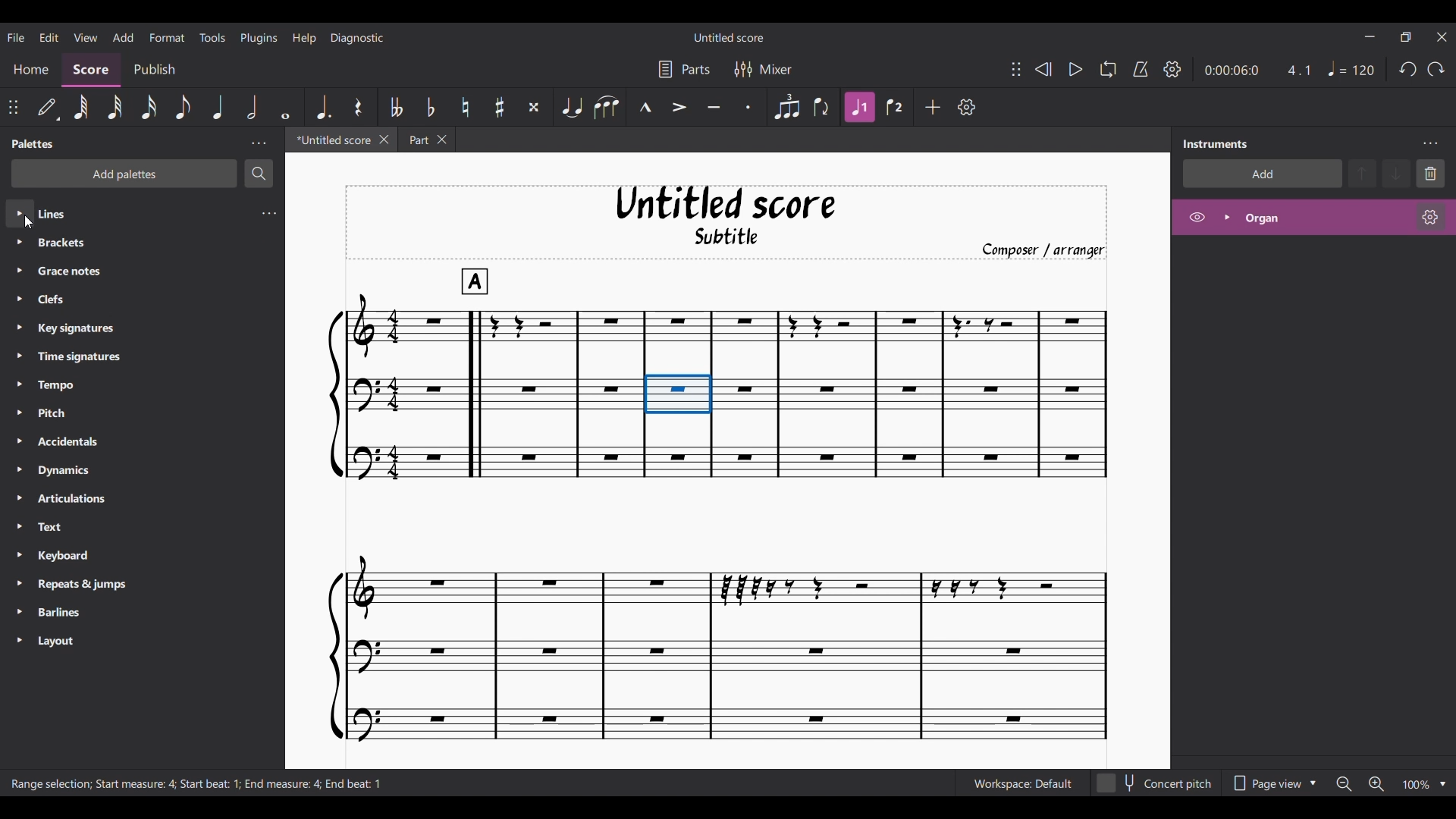  What do you see at coordinates (259, 144) in the screenshot?
I see `Panel settings` at bounding box center [259, 144].